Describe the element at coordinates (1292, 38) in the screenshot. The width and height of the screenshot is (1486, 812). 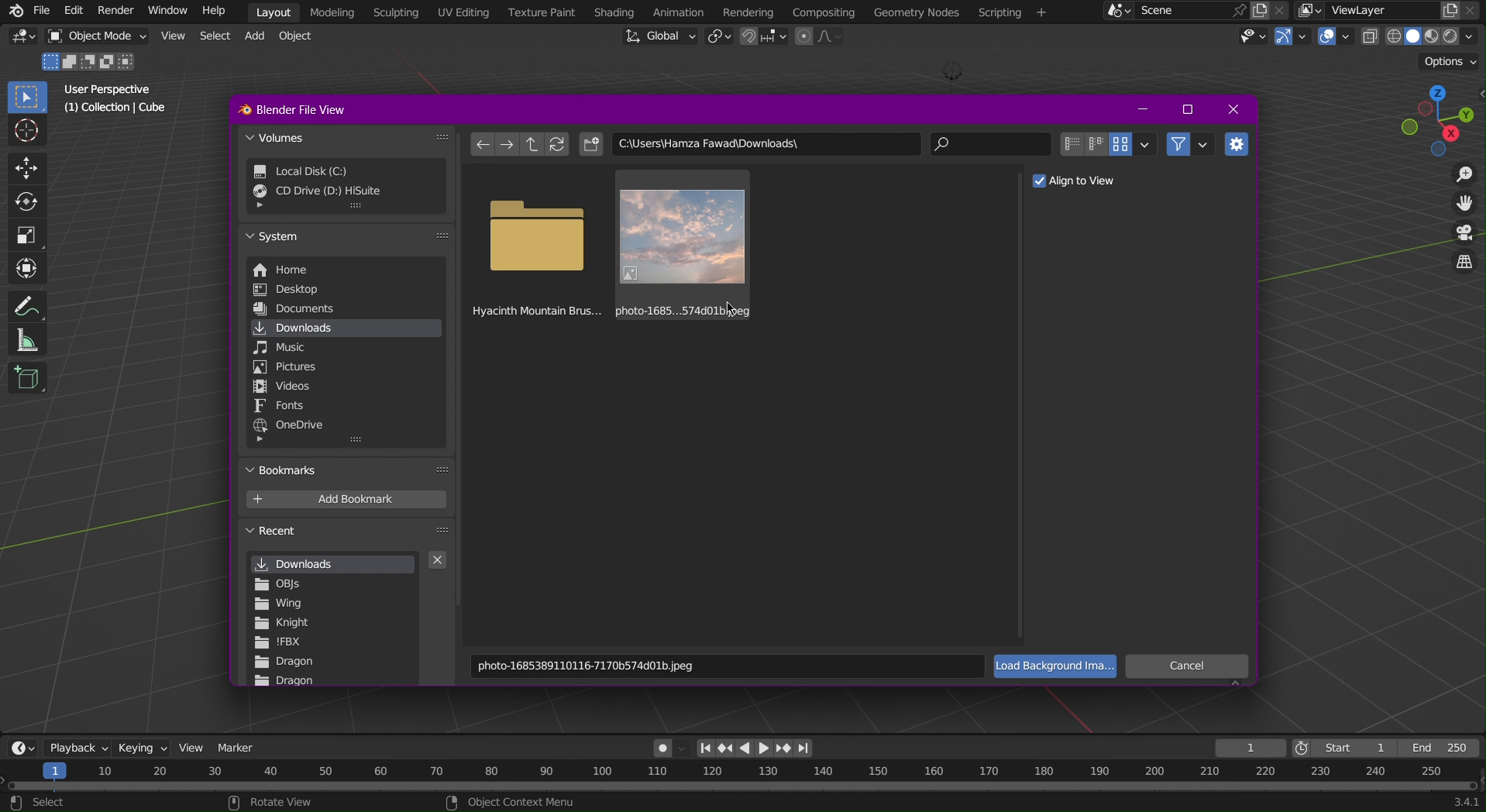
I see `Show Gizmo` at that location.